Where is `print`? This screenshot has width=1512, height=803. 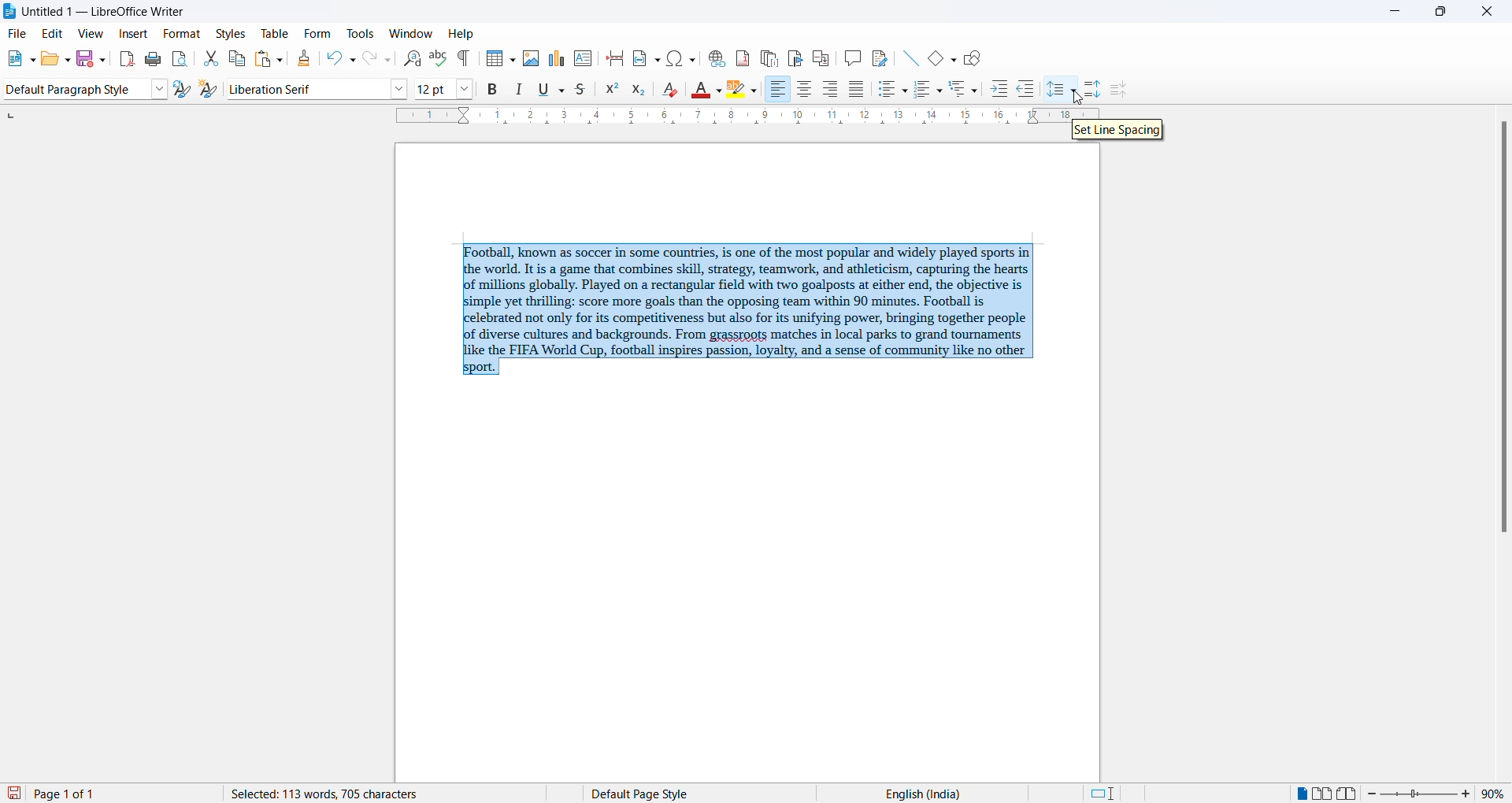
print is located at coordinates (154, 58).